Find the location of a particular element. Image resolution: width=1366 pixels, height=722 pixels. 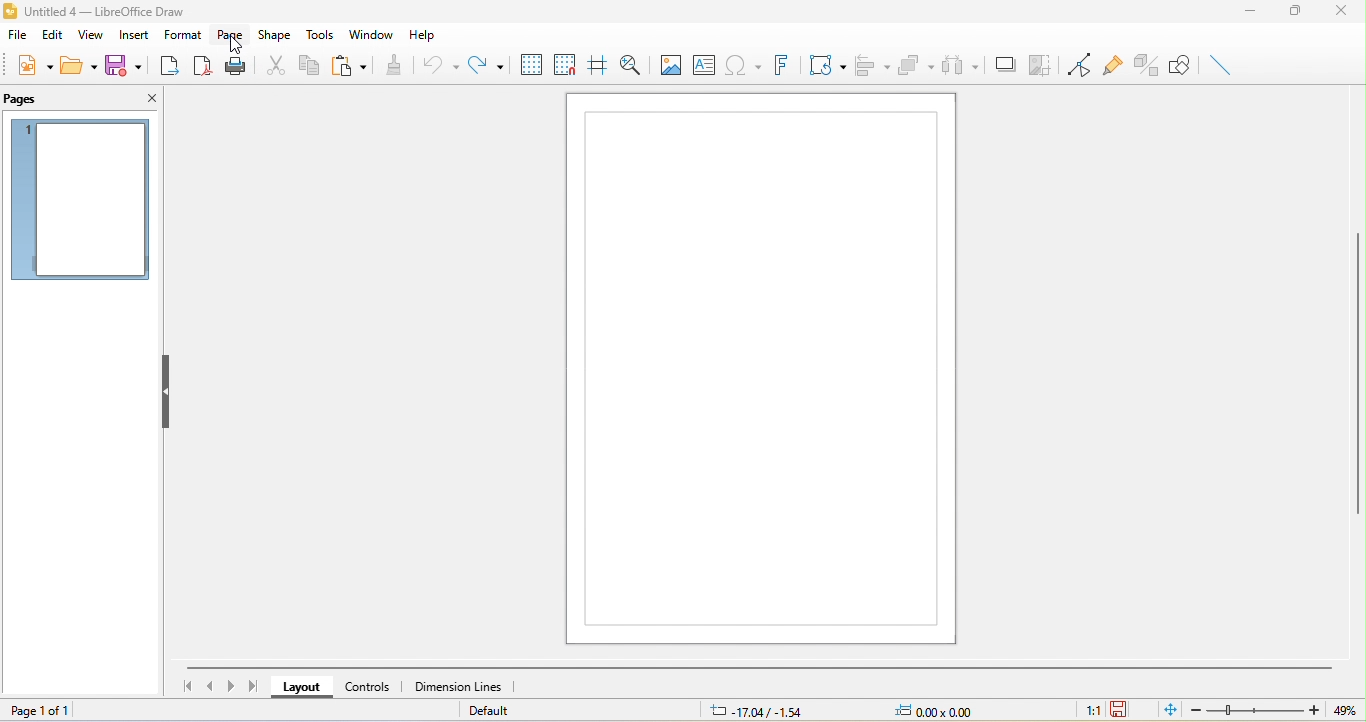

horizontal scroll bar is located at coordinates (753, 668).